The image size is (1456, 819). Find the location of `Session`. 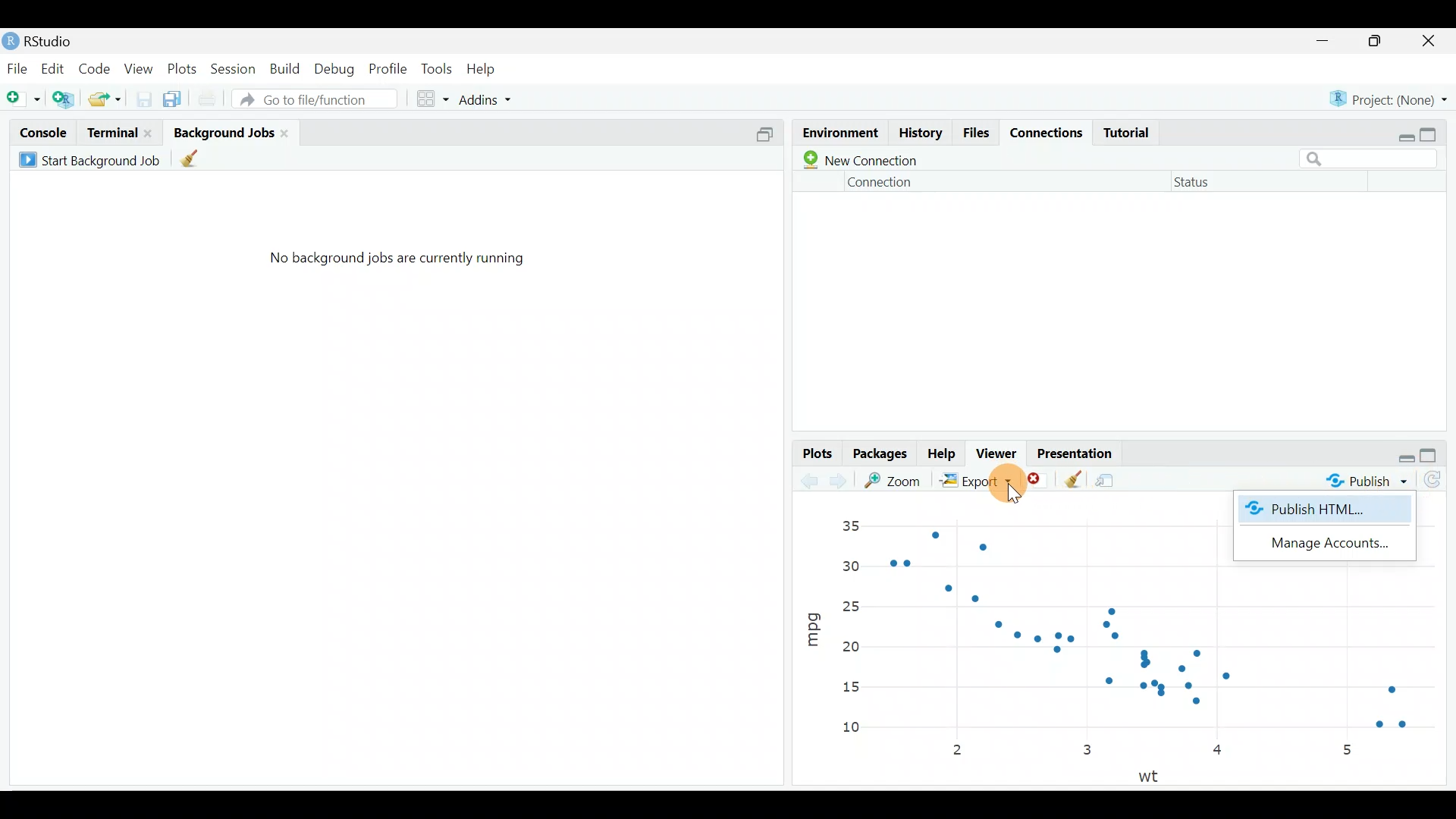

Session is located at coordinates (235, 67).